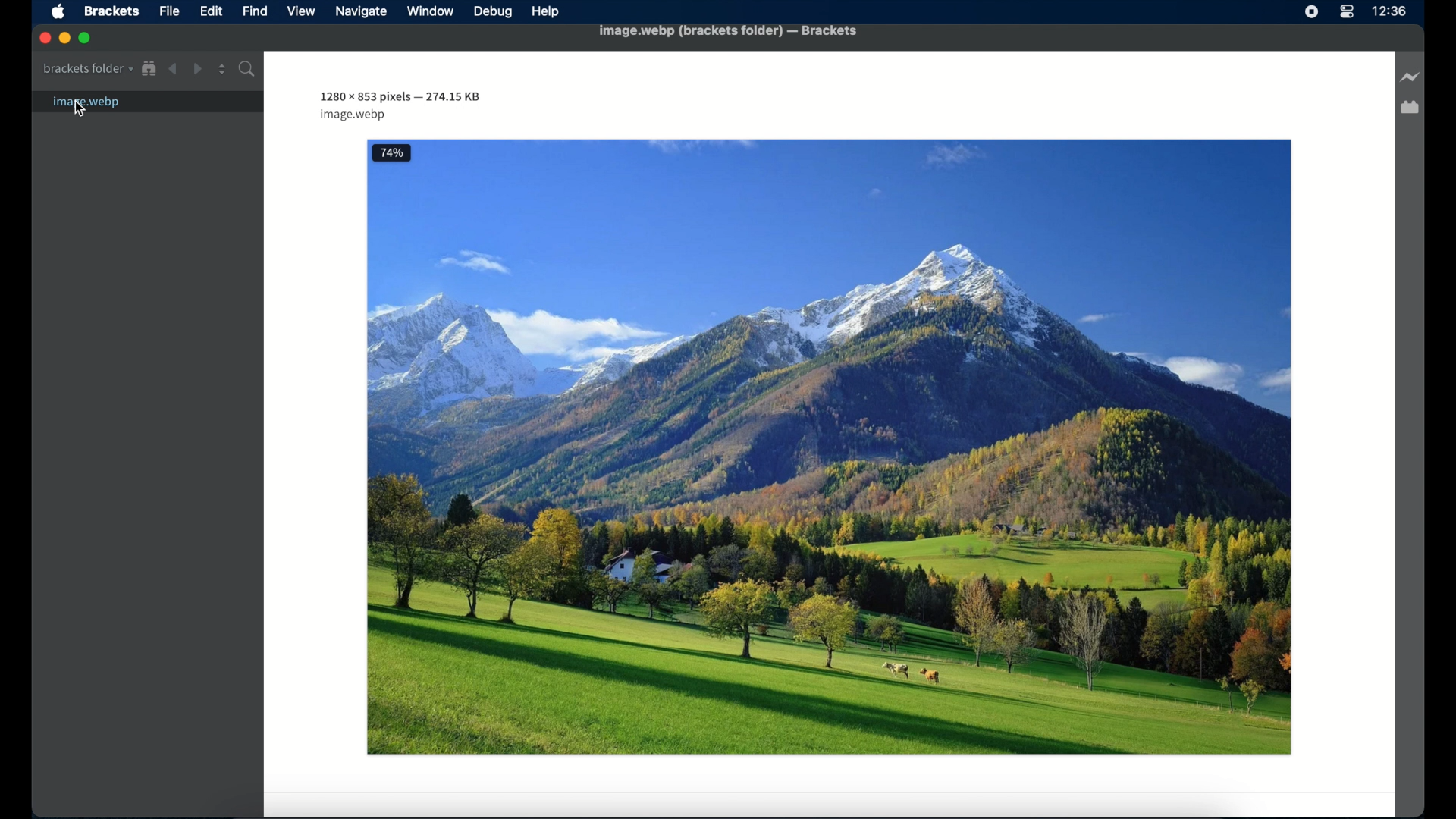 Image resolution: width=1456 pixels, height=819 pixels. Describe the element at coordinates (1312, 13) in the screenshot. I see `screen recorder icon` at that location.